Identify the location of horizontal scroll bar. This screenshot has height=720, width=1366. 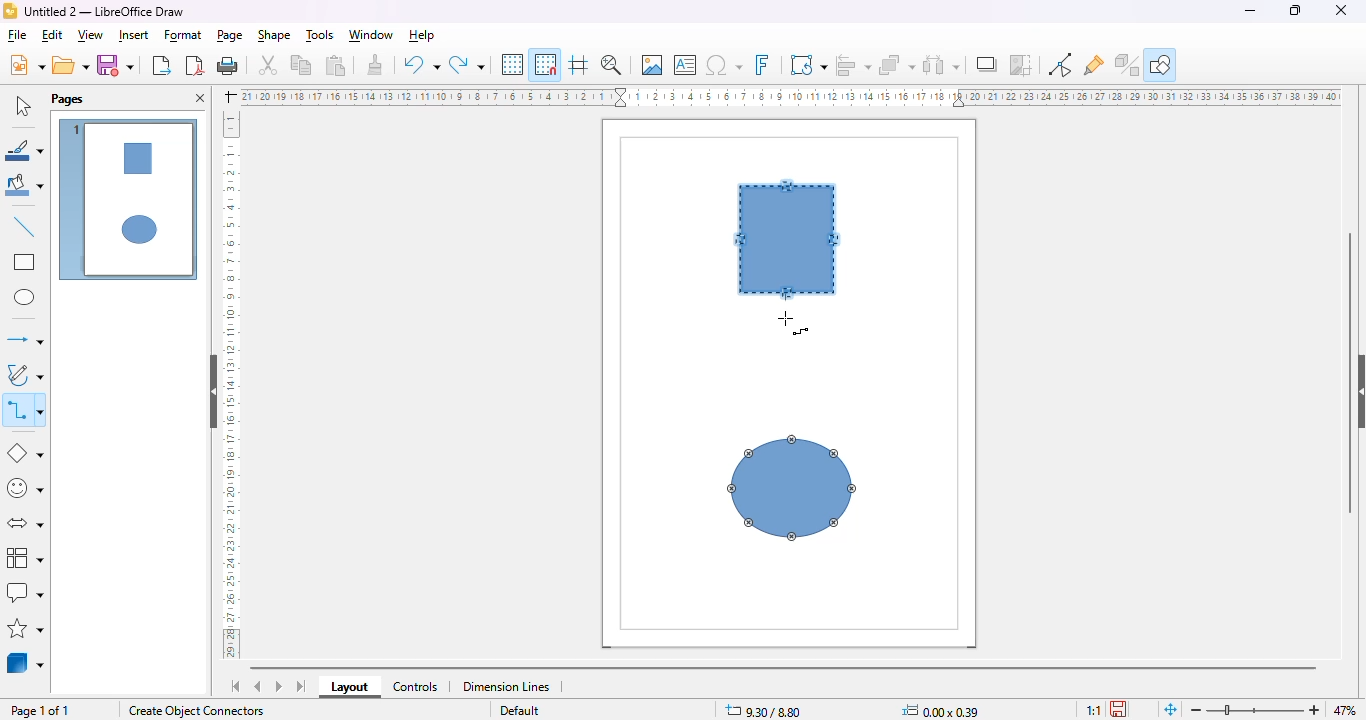
(787, 665).